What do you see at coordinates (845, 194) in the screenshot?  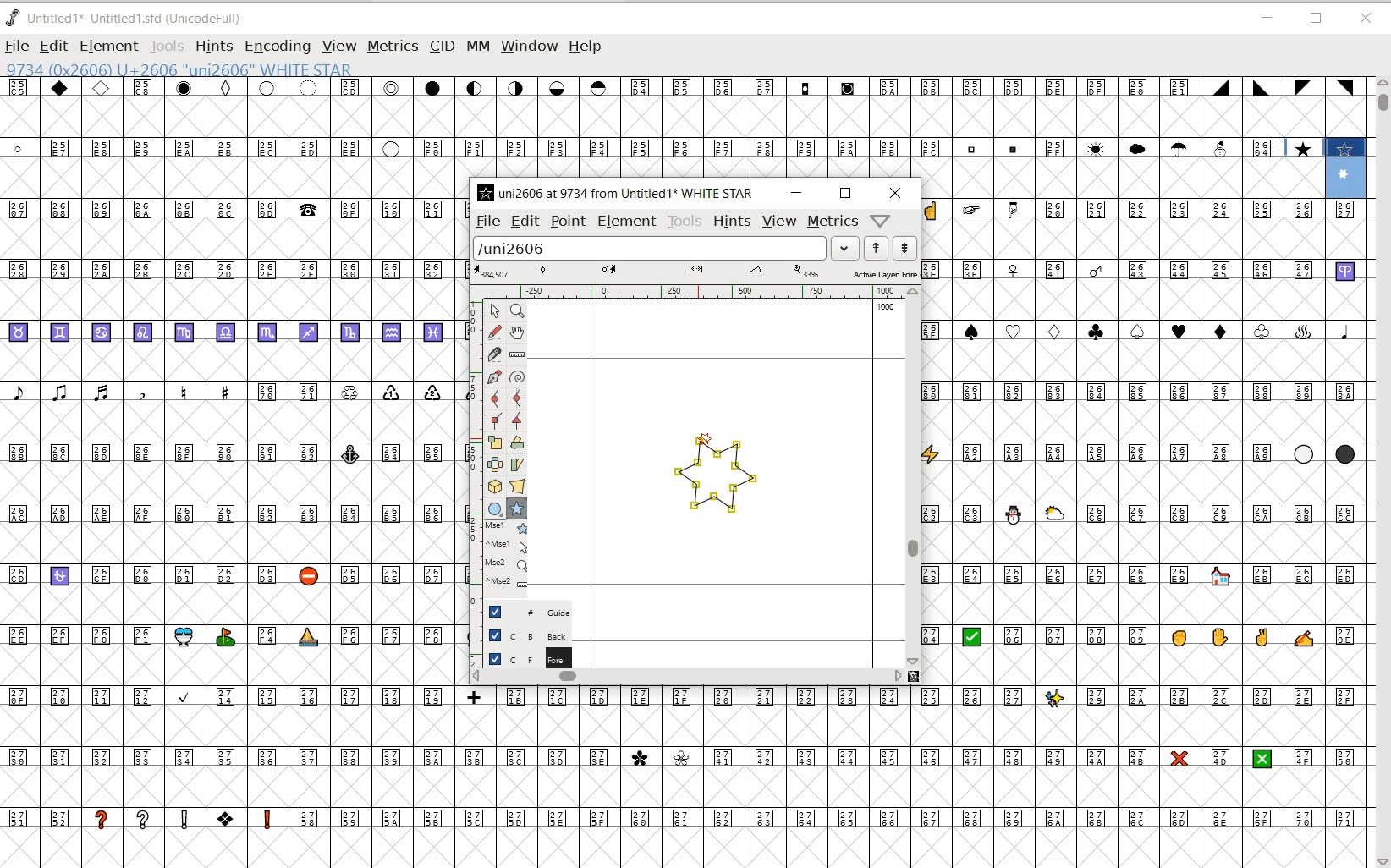 I see `RESTORE` at bounding box center [845, 194].